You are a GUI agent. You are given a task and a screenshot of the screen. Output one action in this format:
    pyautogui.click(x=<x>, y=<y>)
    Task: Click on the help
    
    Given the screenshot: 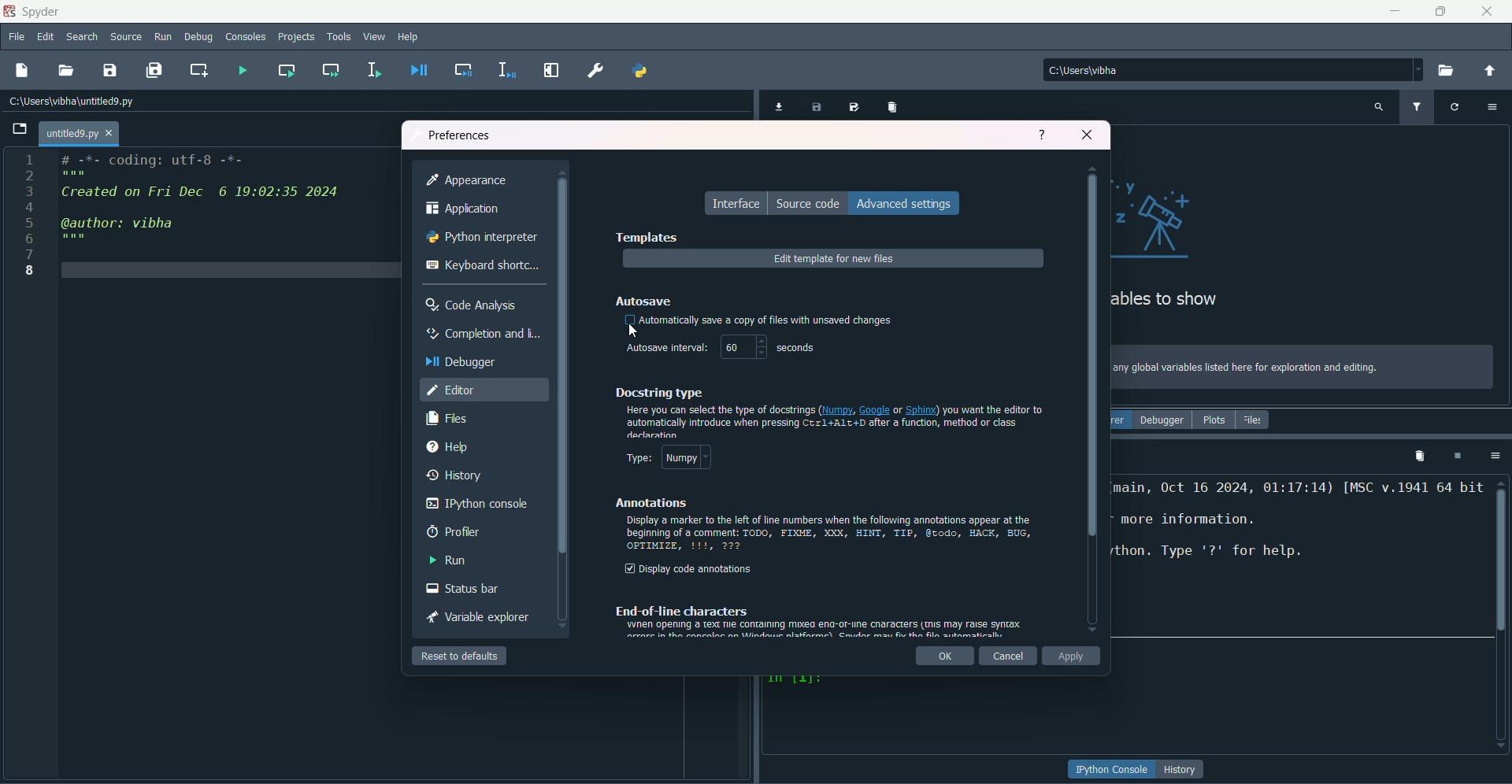 What is the action you would take?
    pyautogui.click(x=1043, y=135)
    